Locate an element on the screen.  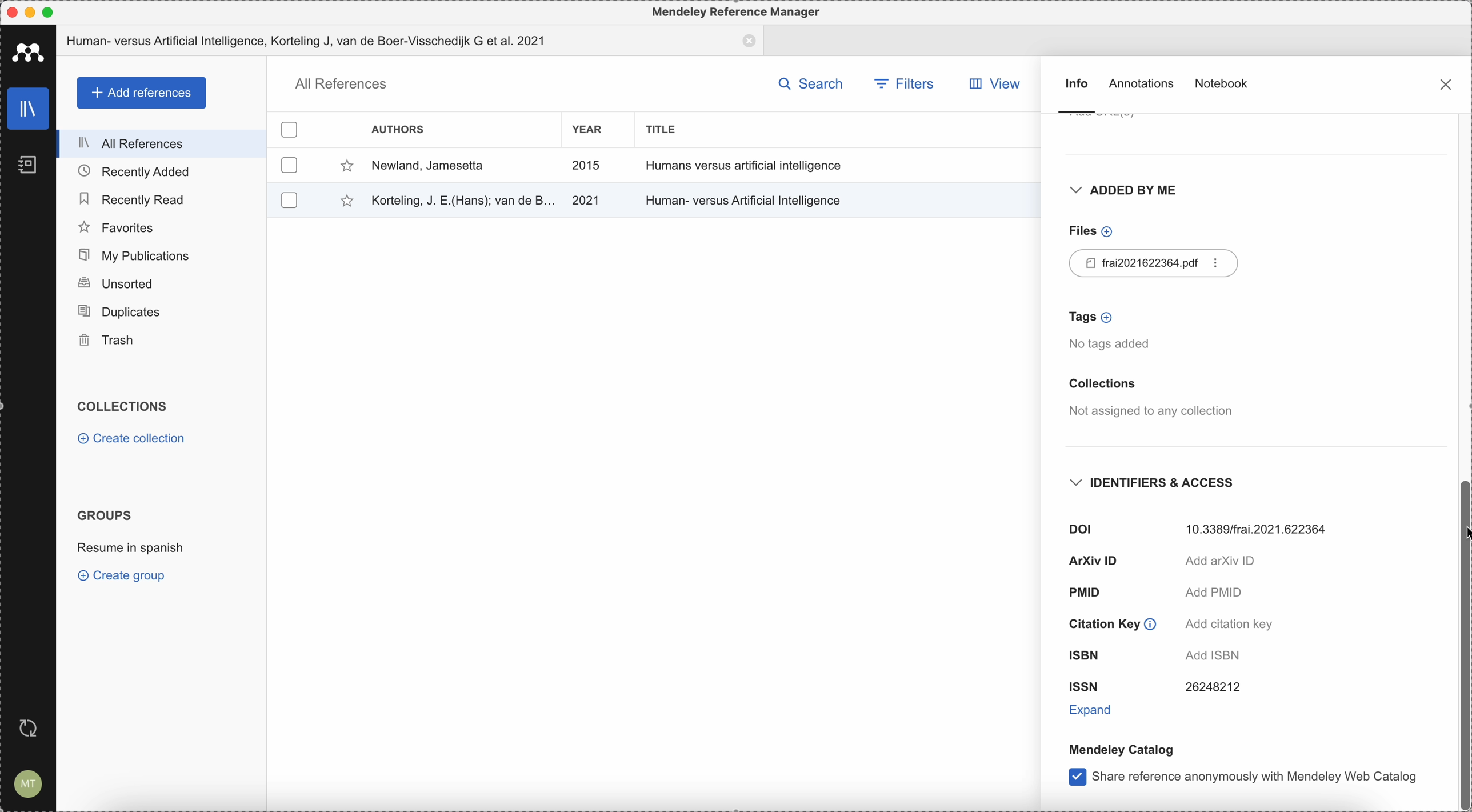
create group is located at coordinates (125, 577).